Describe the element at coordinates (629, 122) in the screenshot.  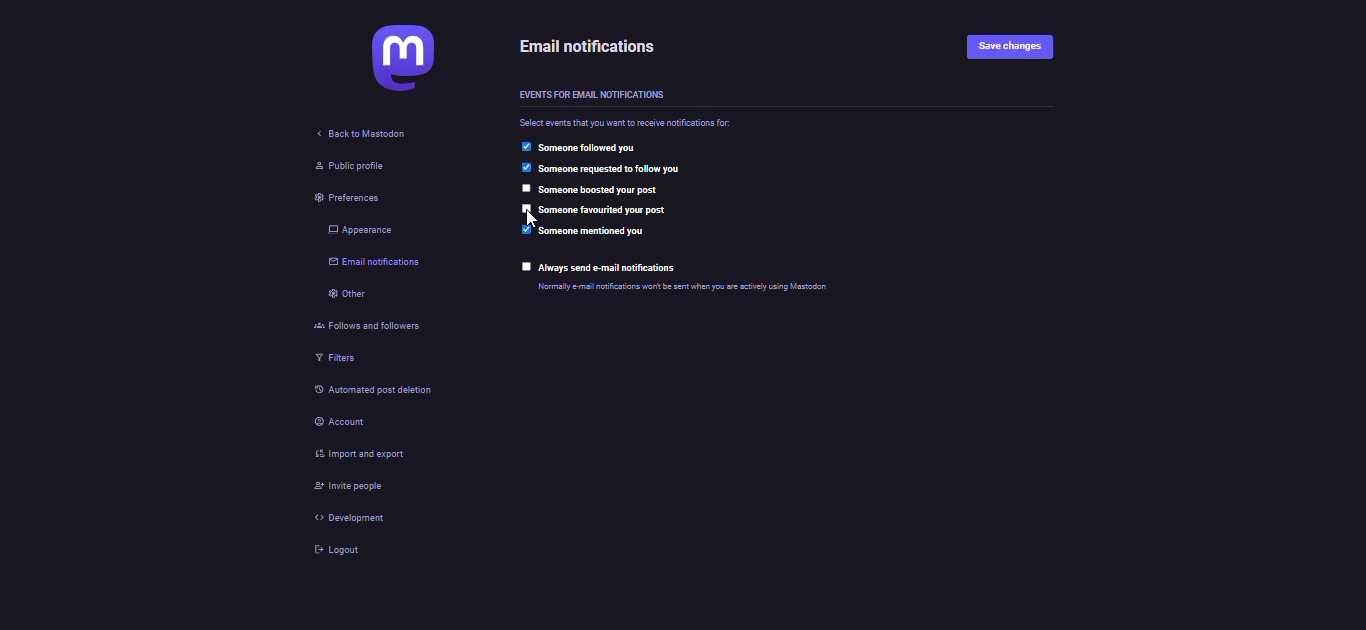
I see `select events` at that location.